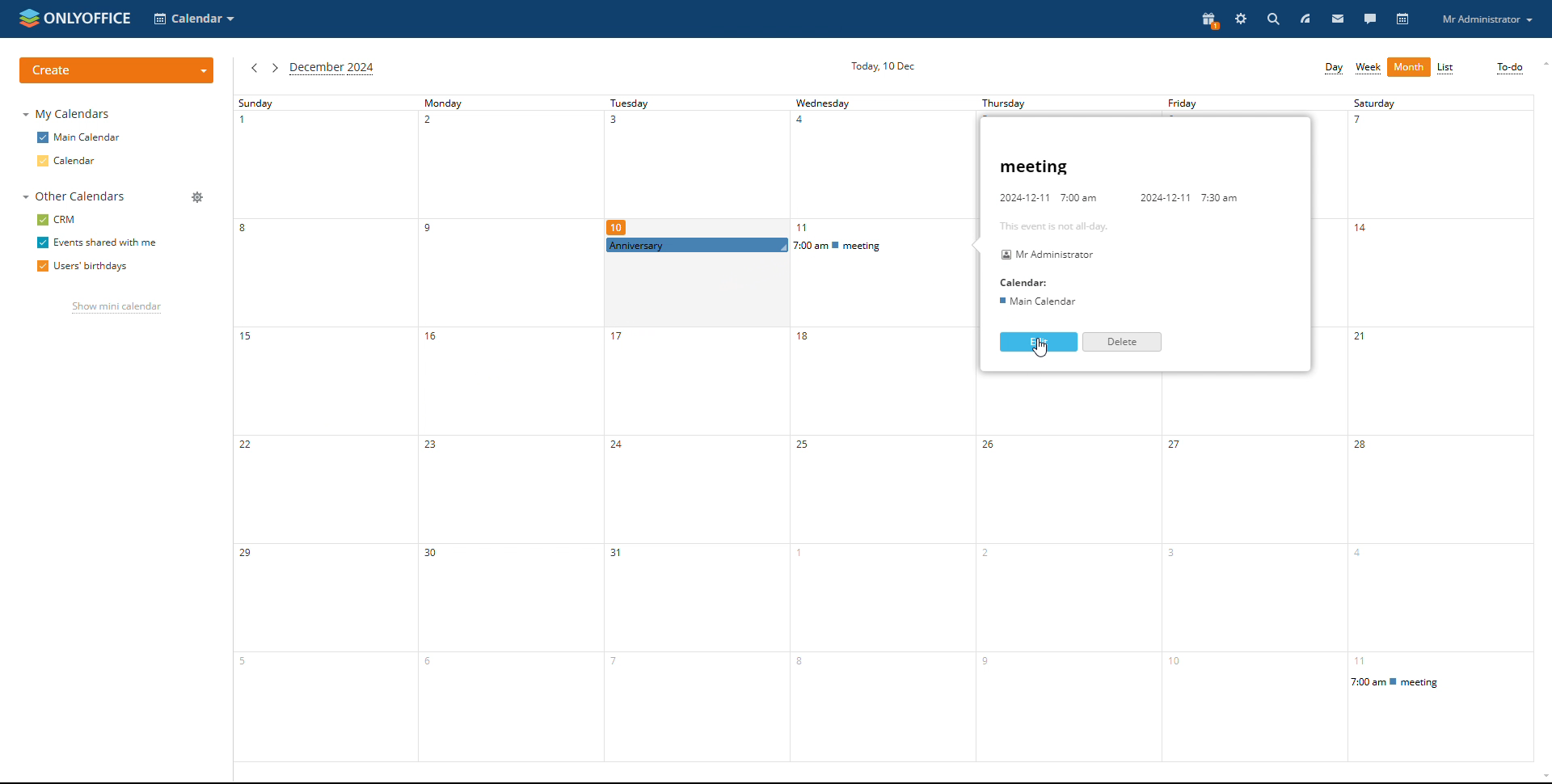  Describe the element at coordinates (118, 69) in the screenshot. I see `create` at that location.